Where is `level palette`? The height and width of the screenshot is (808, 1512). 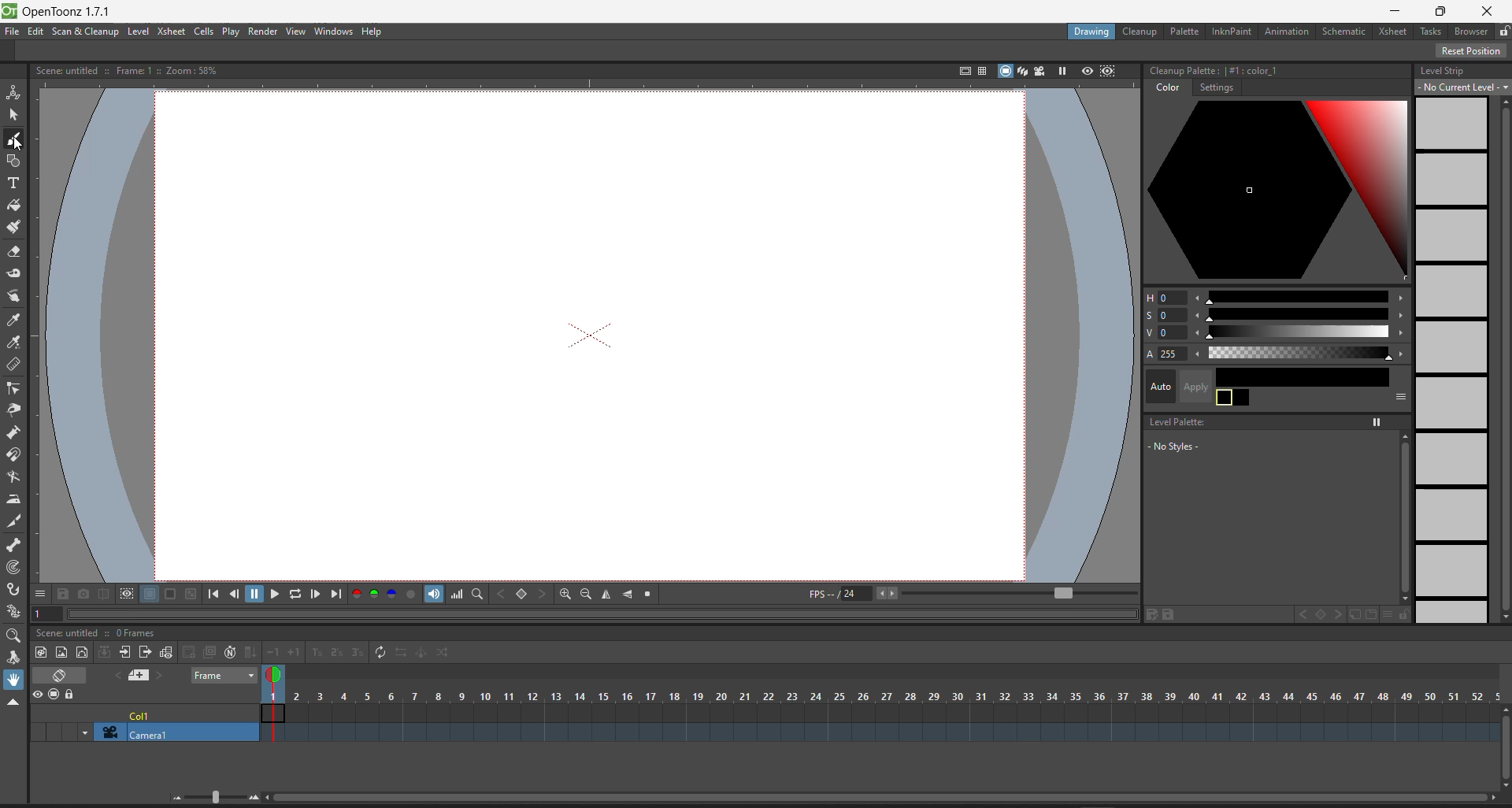 level palette is located at coordinates (1173, 422).